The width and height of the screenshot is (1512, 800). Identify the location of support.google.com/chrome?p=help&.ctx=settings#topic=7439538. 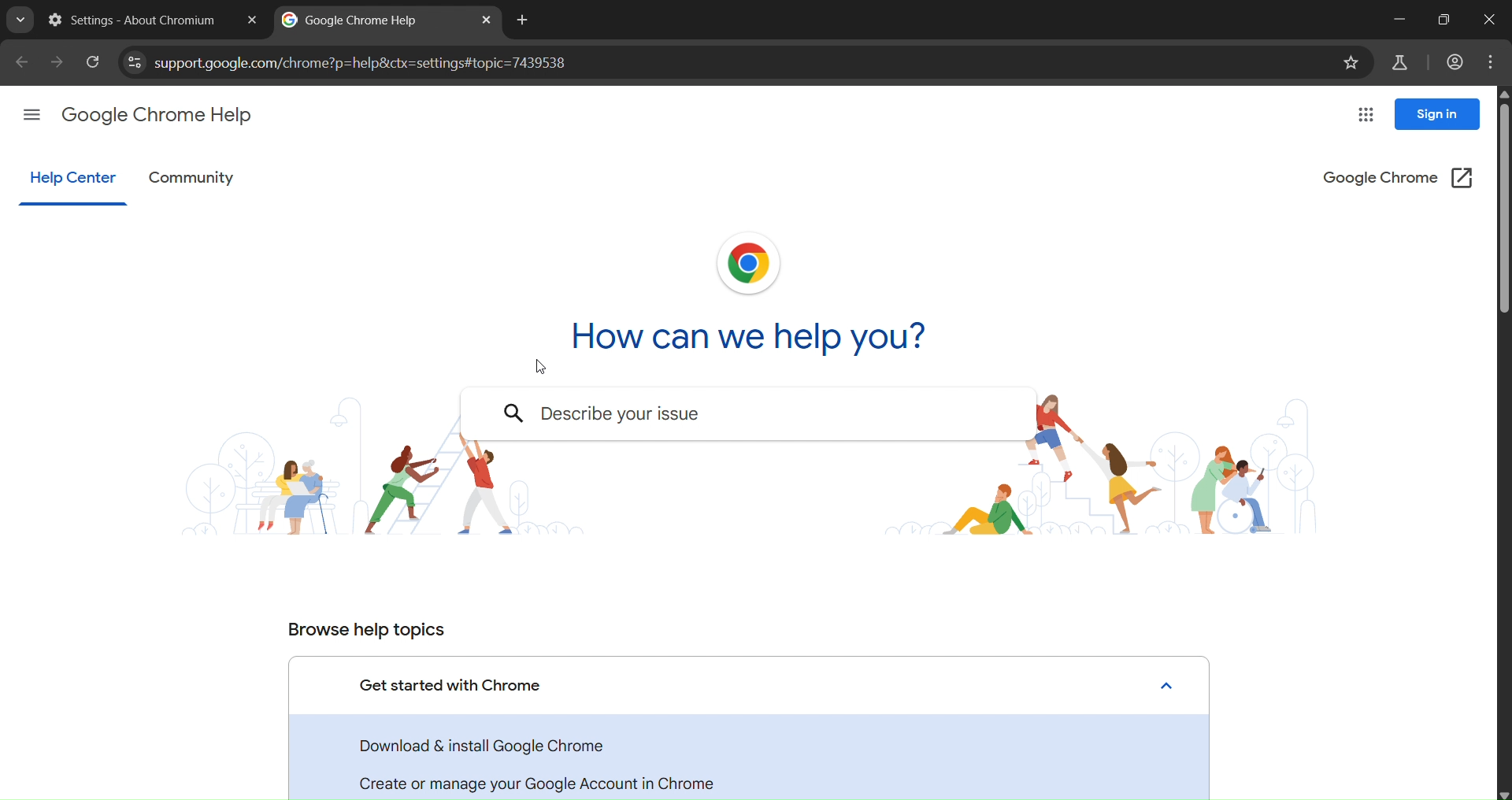
(373, 65).